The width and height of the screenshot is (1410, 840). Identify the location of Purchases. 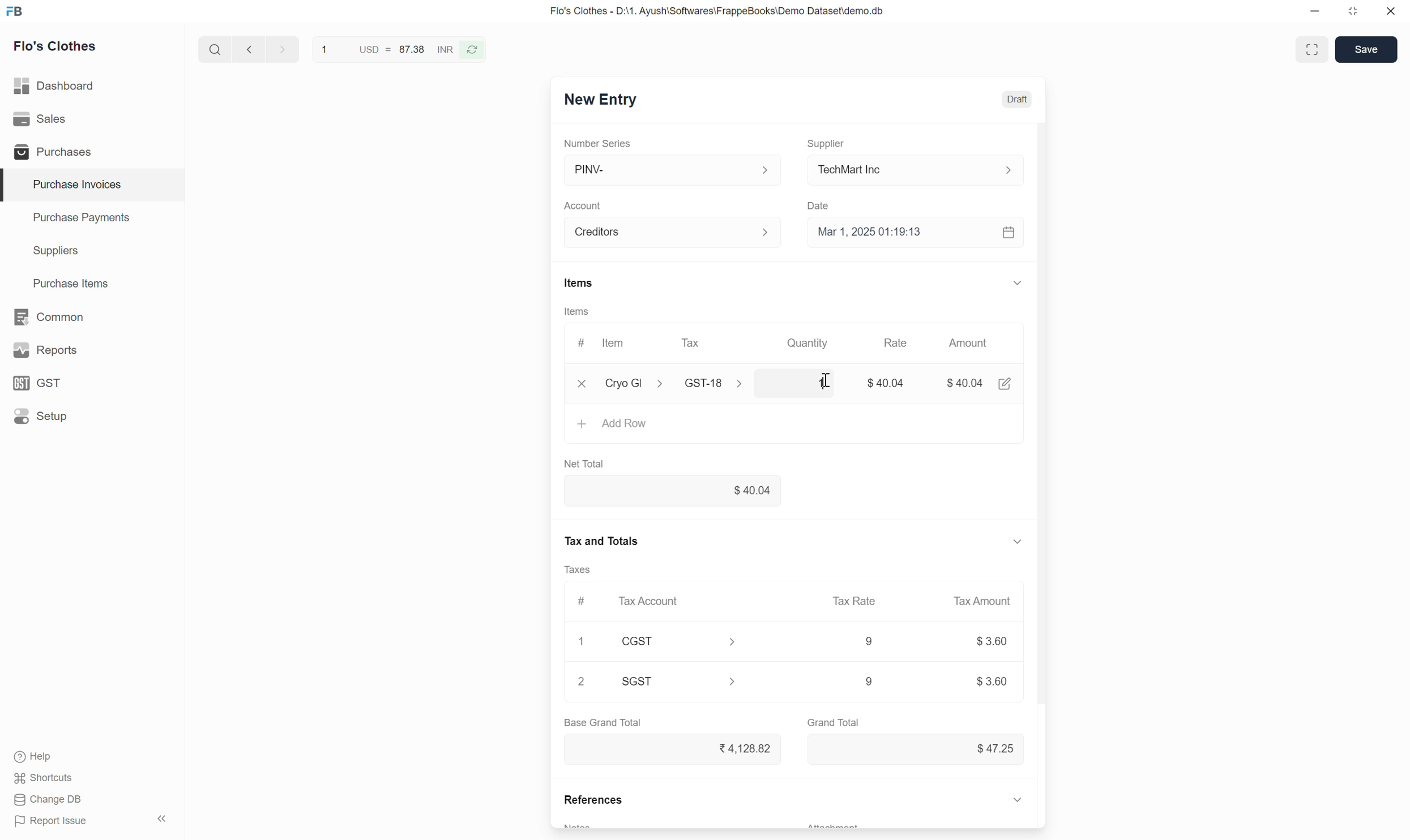
(50, 152).